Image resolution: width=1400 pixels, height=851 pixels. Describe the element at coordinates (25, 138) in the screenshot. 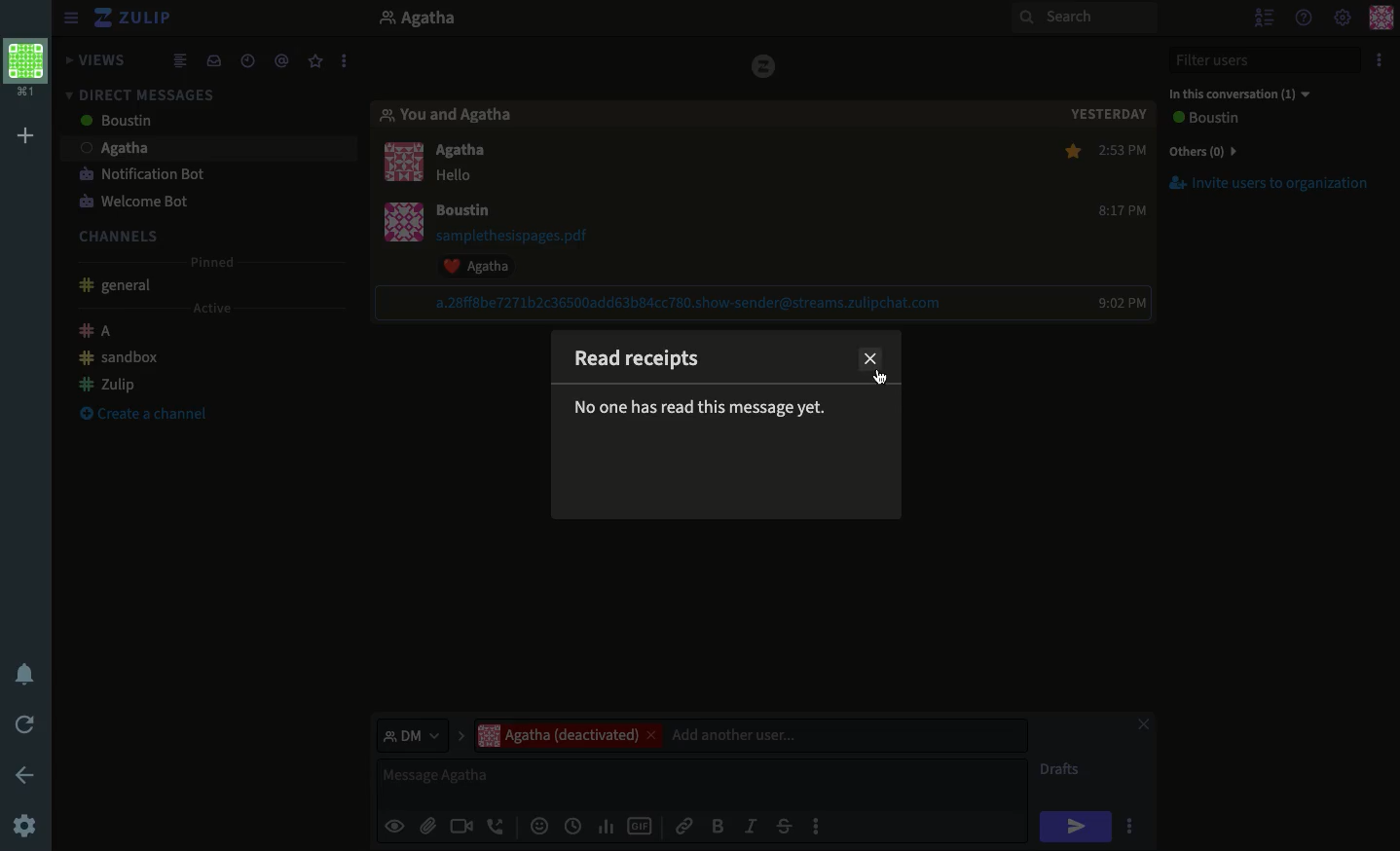

I see `Add` at that location.